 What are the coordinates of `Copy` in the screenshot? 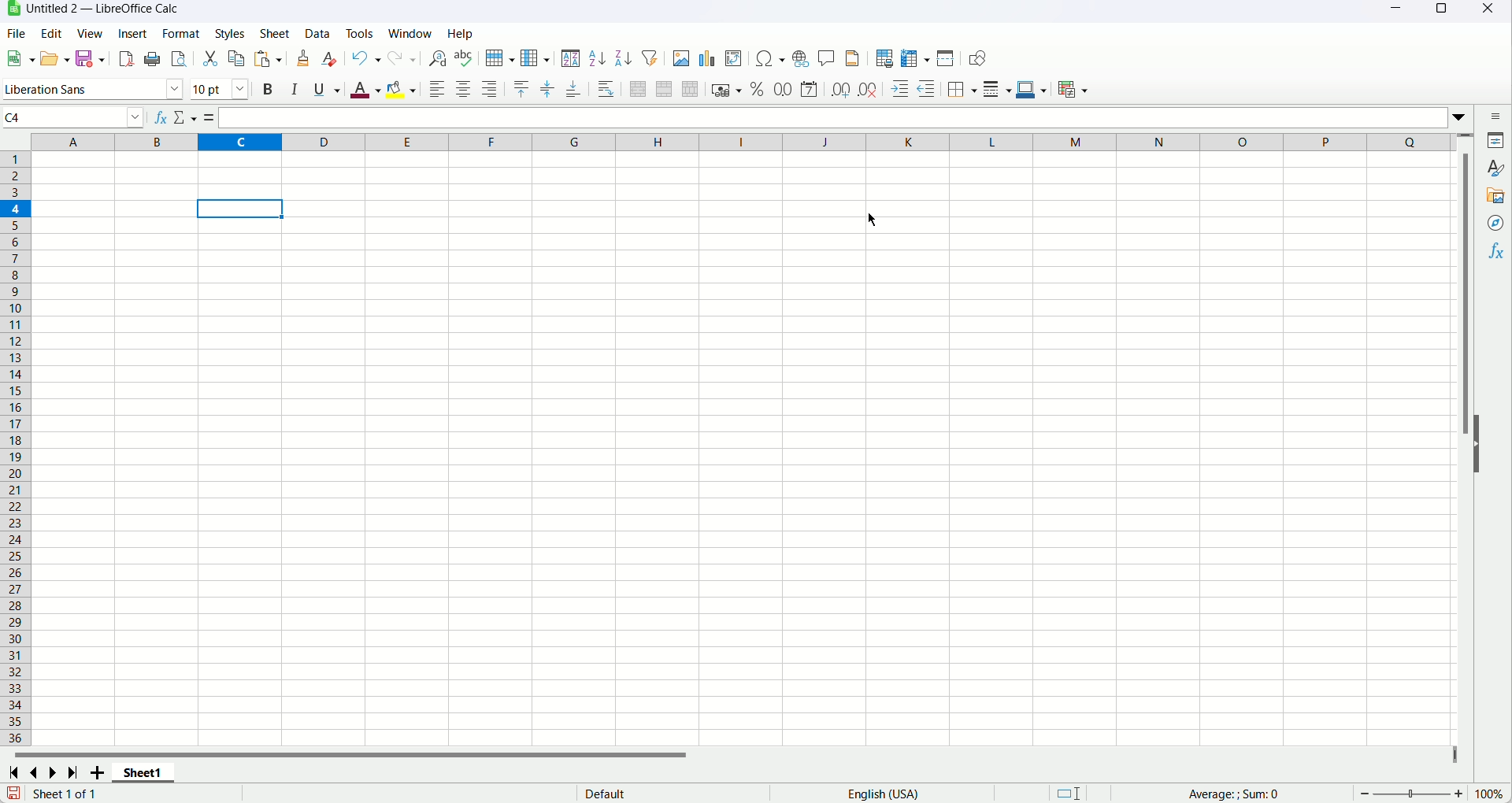 It's located at (236, 59).